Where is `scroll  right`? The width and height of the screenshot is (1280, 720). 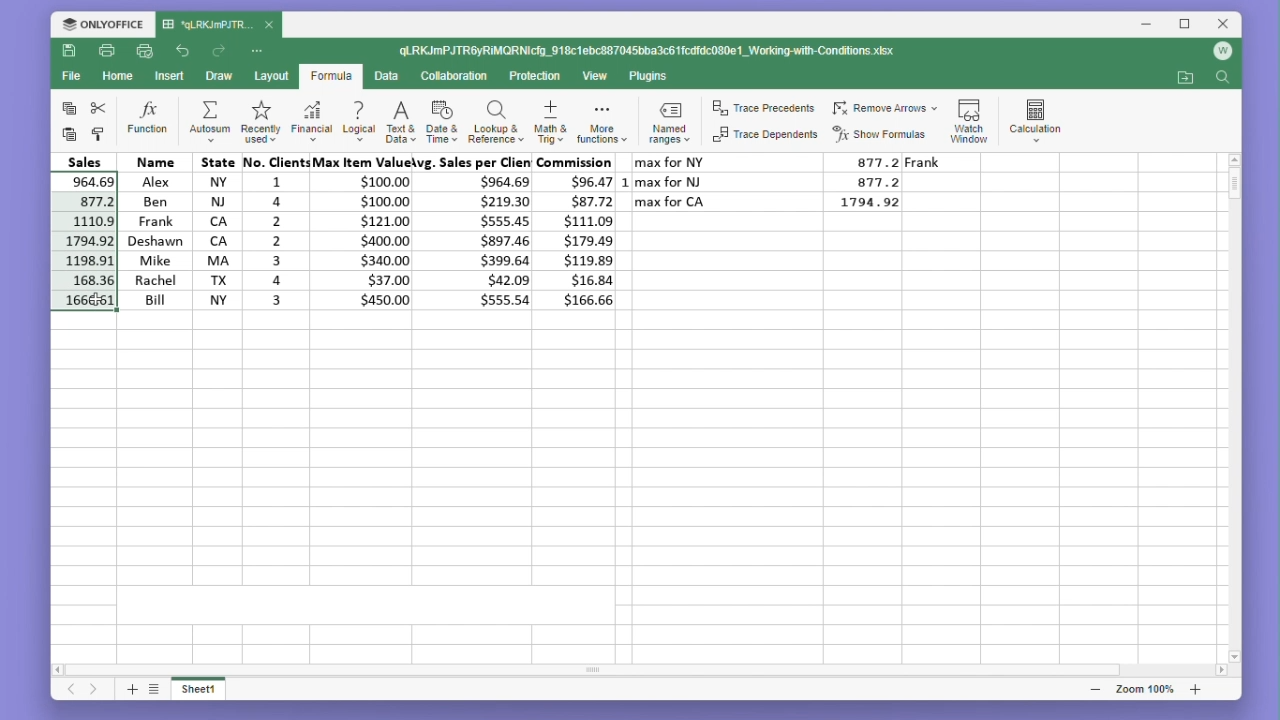
scroll  right is located at coordinates (1222, 671).